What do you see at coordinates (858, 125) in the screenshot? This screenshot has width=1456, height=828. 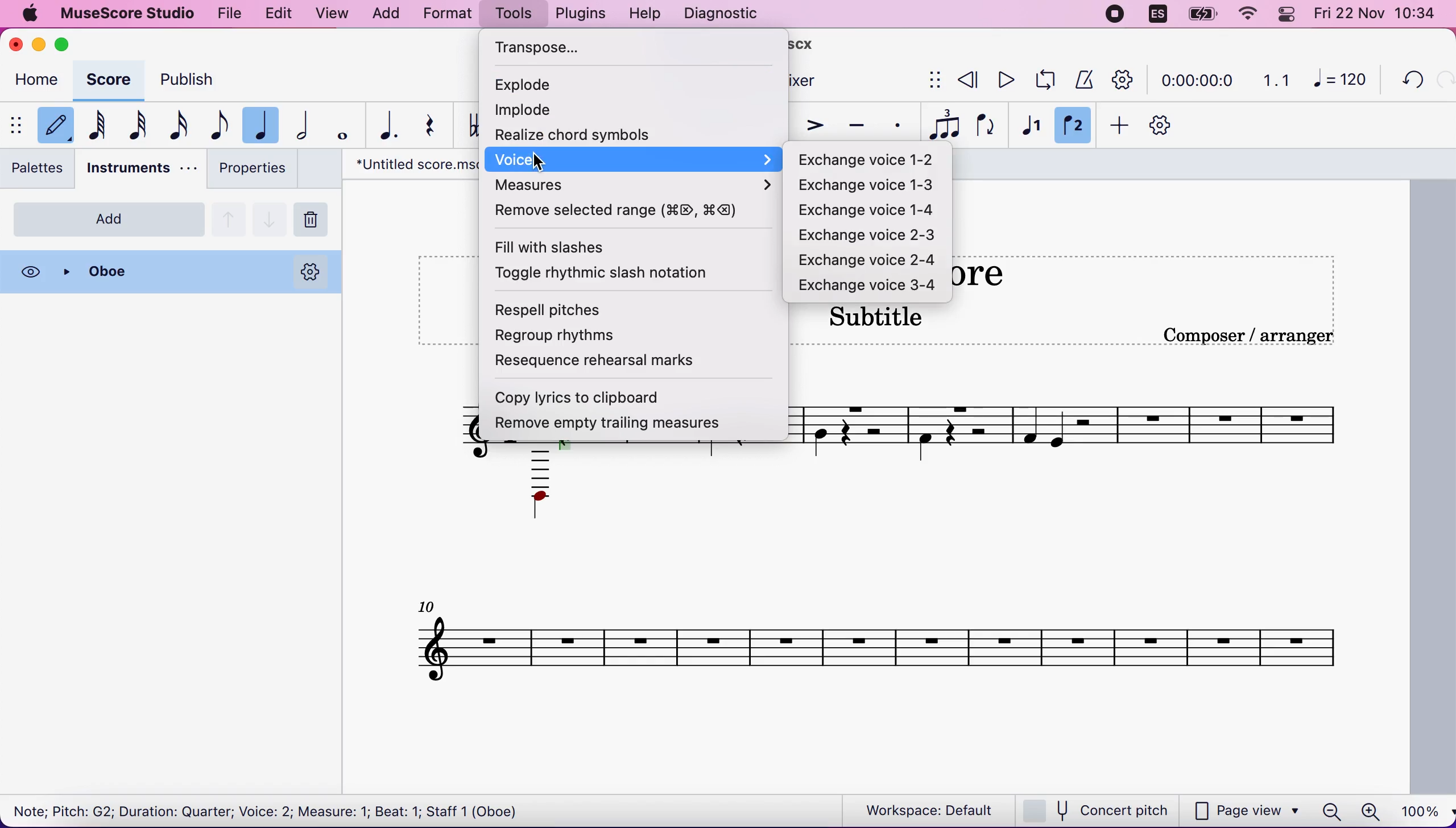 I see `tenuto` at bounding box center [858, 125].